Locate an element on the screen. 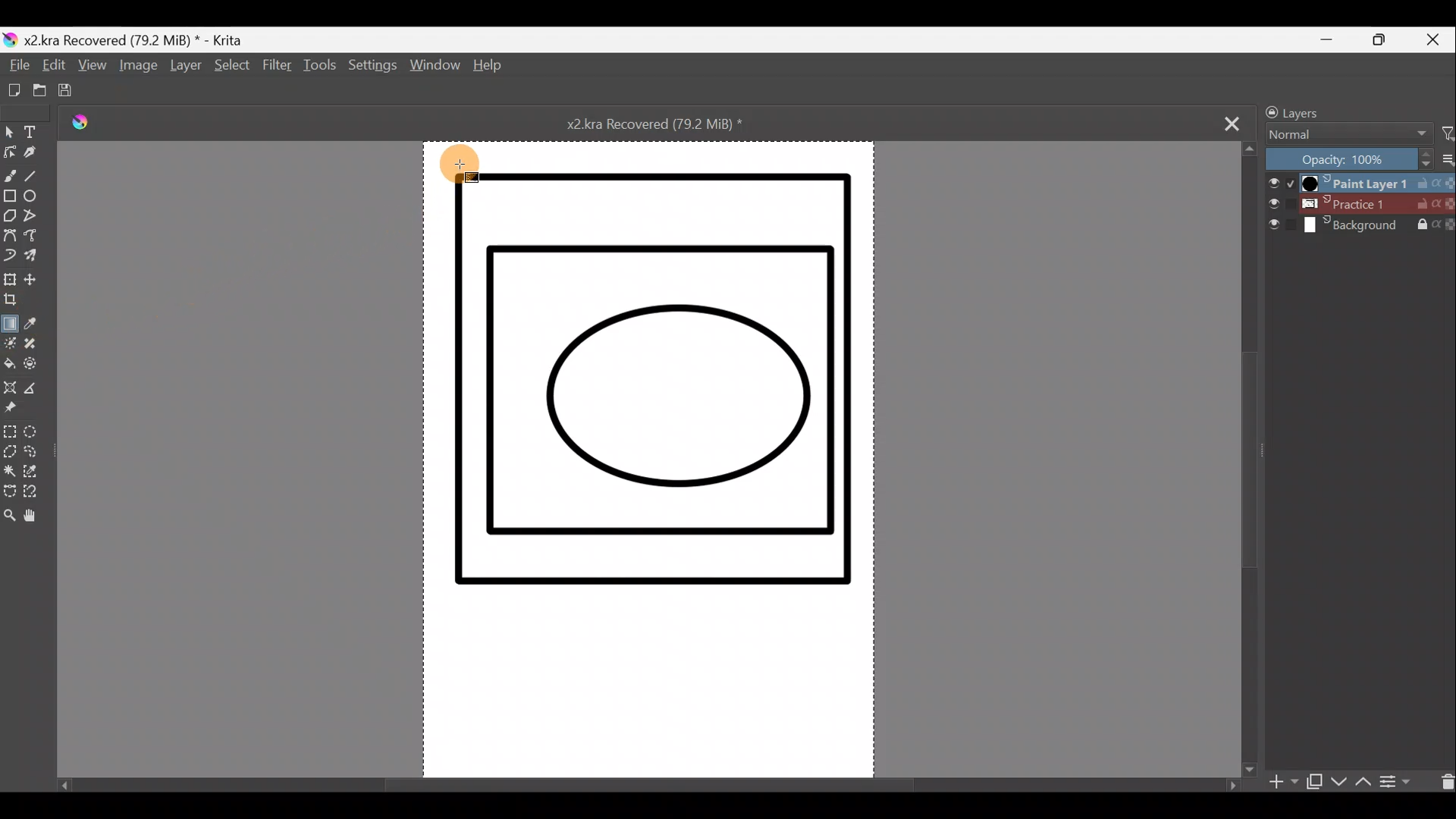 The width and height of the screenshot is (1456, 819). Dynamic brush tool is located at coordinates (11, 256).